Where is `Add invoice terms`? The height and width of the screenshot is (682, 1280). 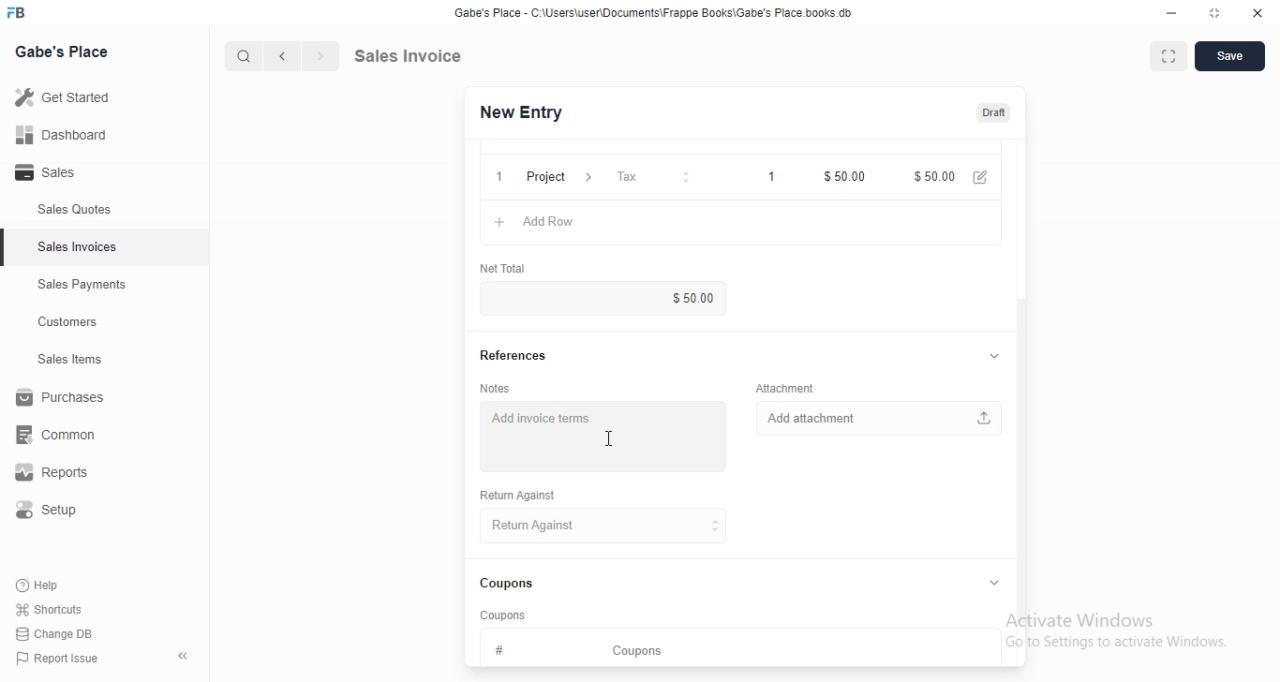
Add invoice terms is located at coordinates (595, 428).